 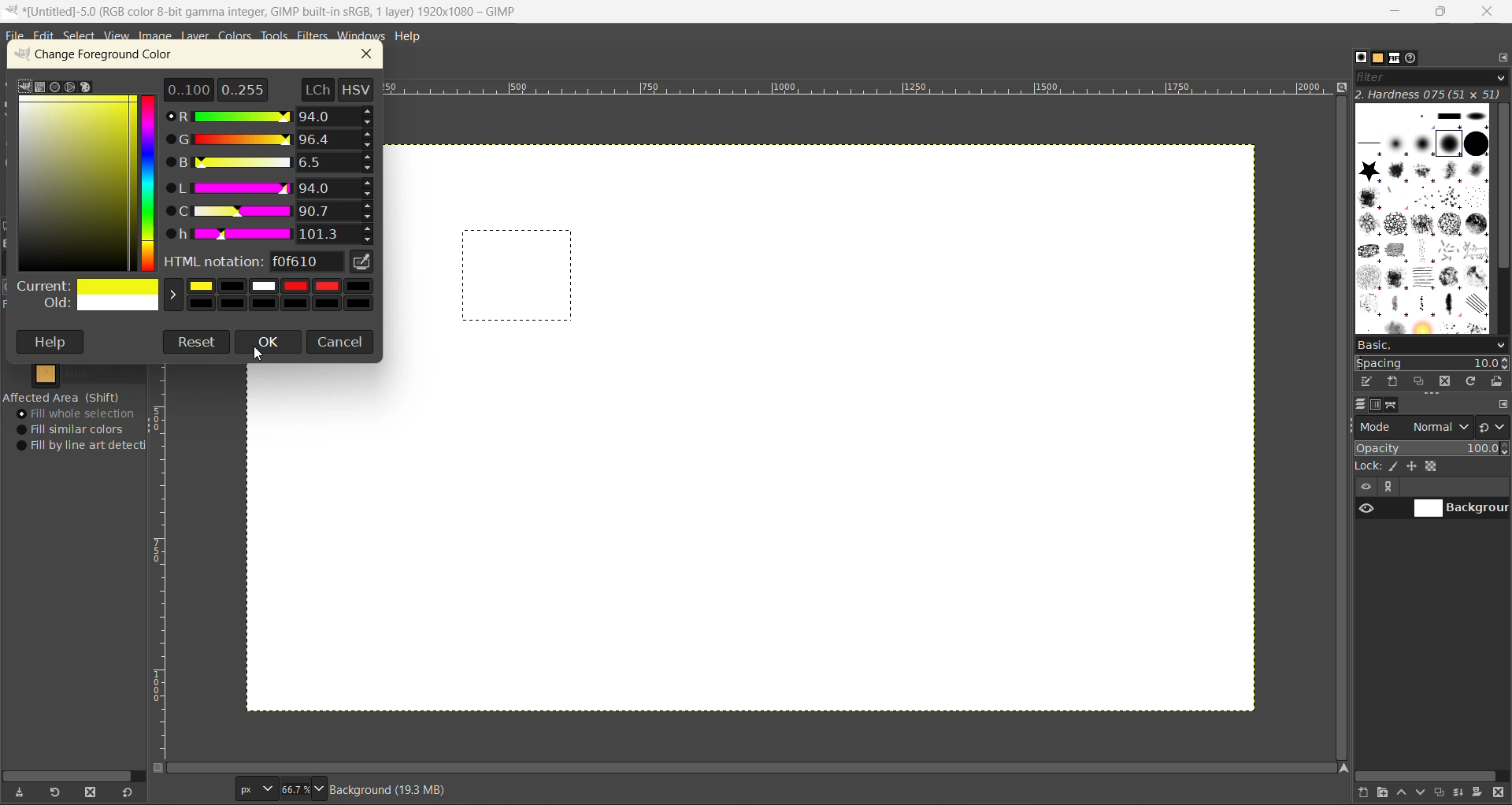 I want to click on help, so click(x=53, y=342).